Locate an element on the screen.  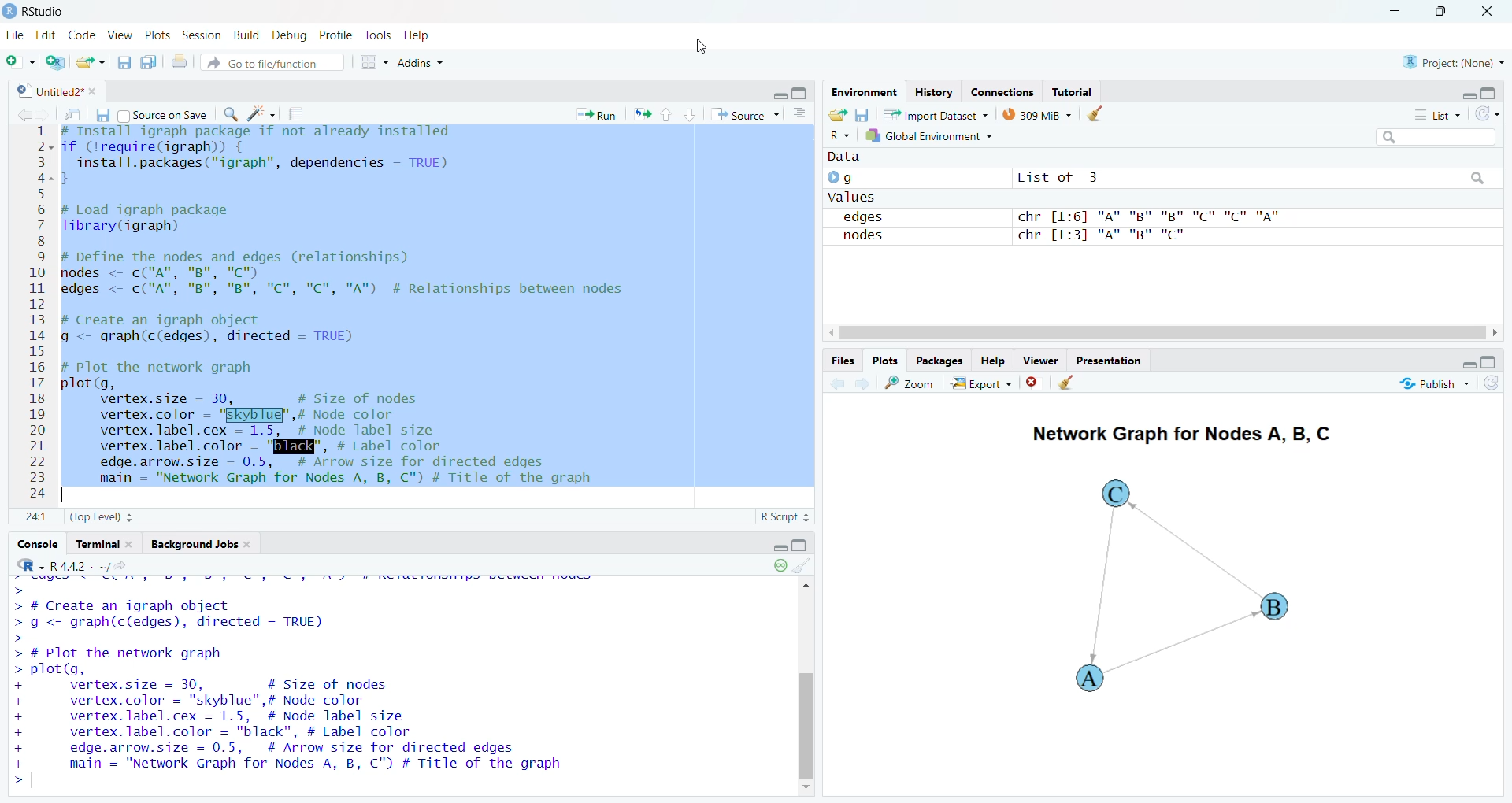
search is located at coordinates (235, 114).